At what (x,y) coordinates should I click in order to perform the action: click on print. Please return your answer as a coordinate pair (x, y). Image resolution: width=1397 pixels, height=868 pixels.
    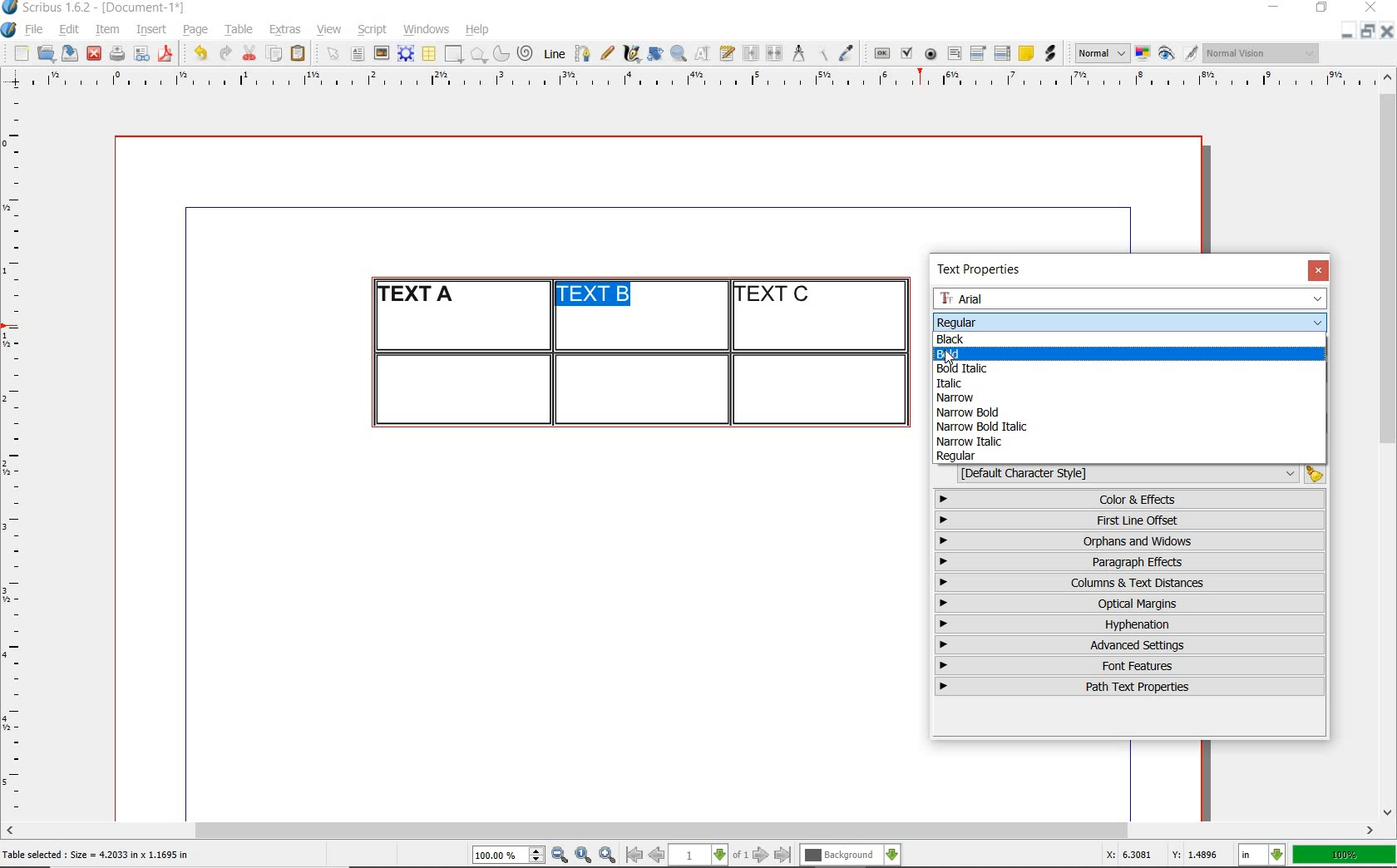
    Looking at the image, I should click on (116, 53).